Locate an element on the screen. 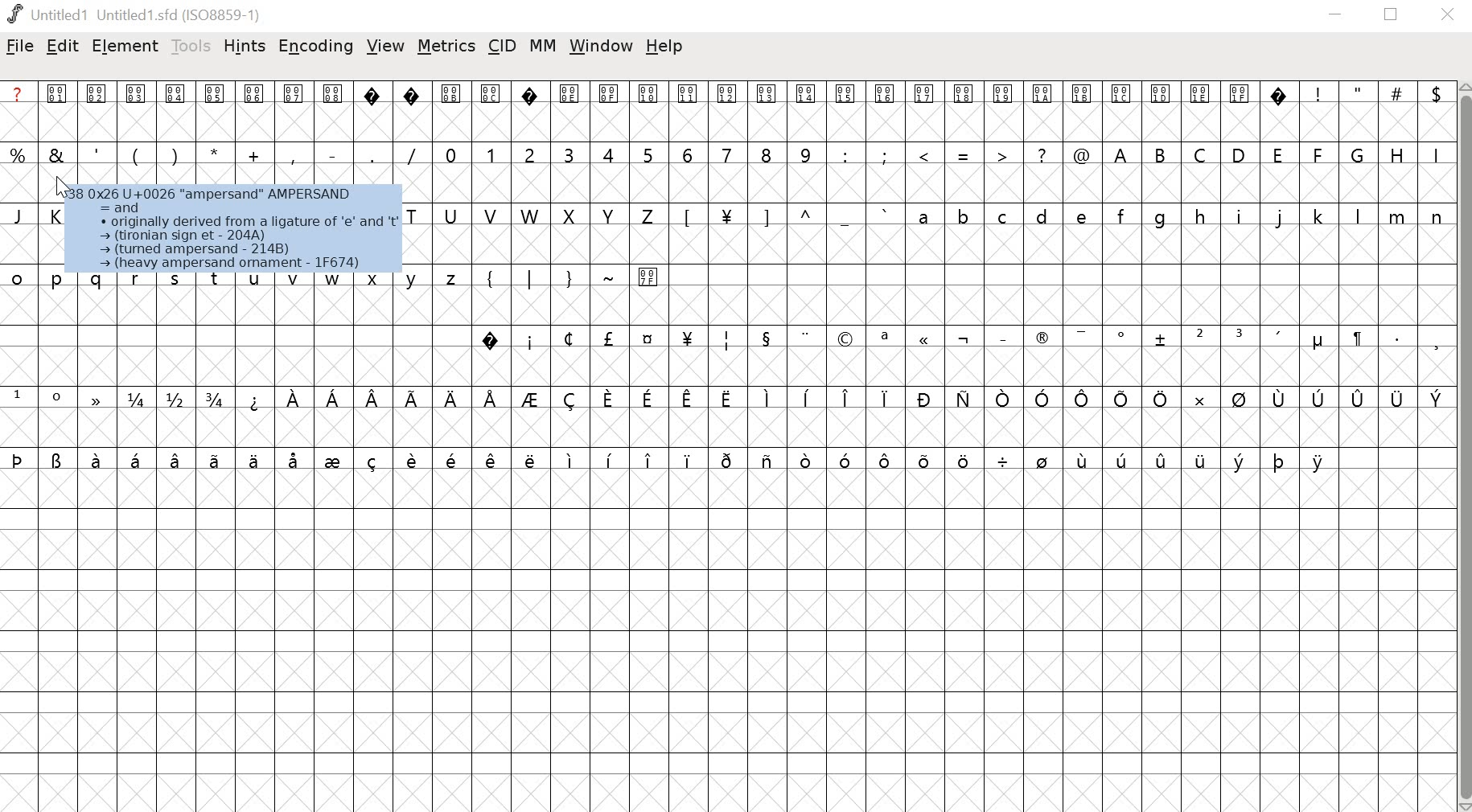 This screenshot has height=812, width=1472. 1 is located at coordinates (491, 153).